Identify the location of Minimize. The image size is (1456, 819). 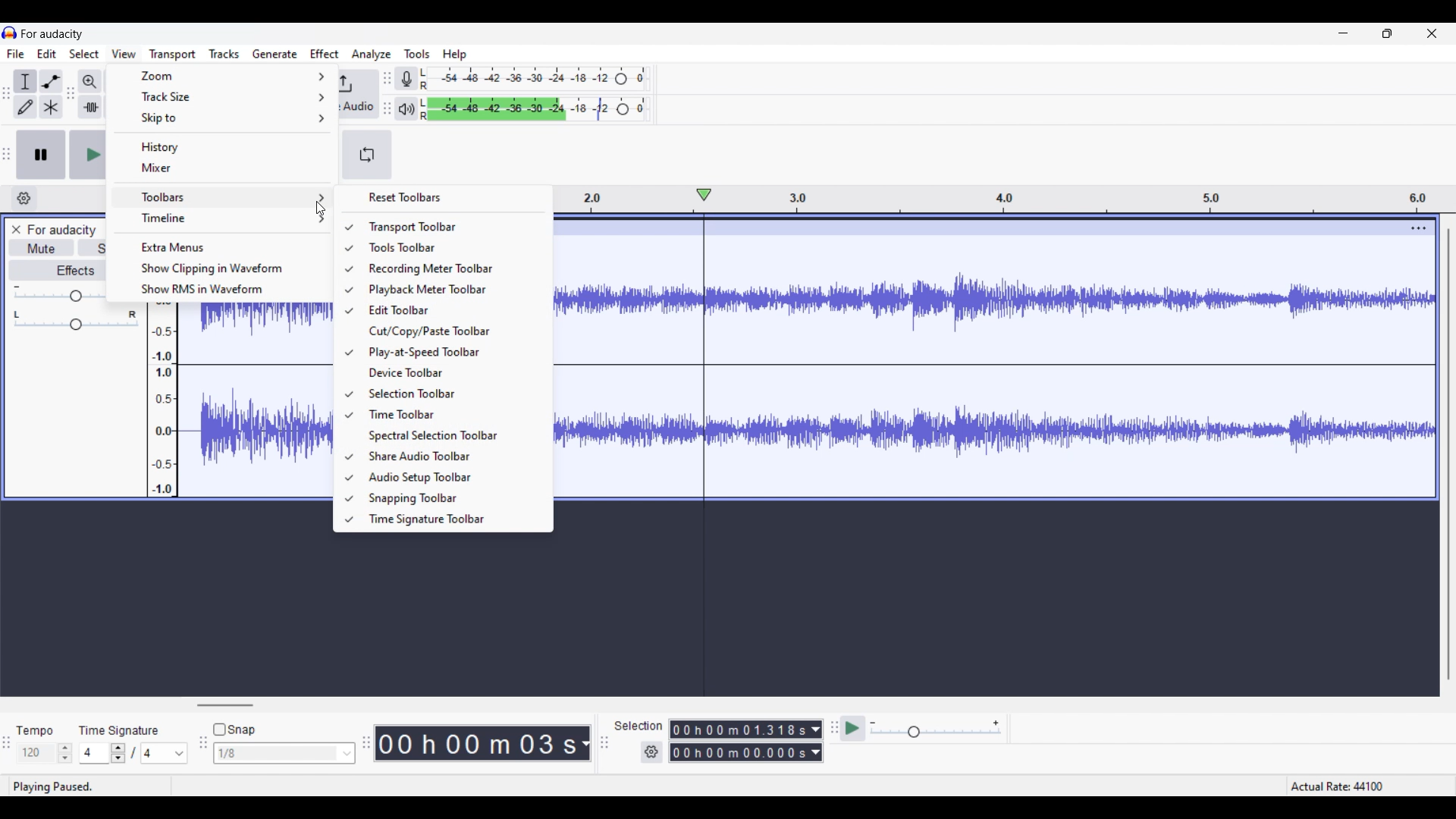
(1343, 33).